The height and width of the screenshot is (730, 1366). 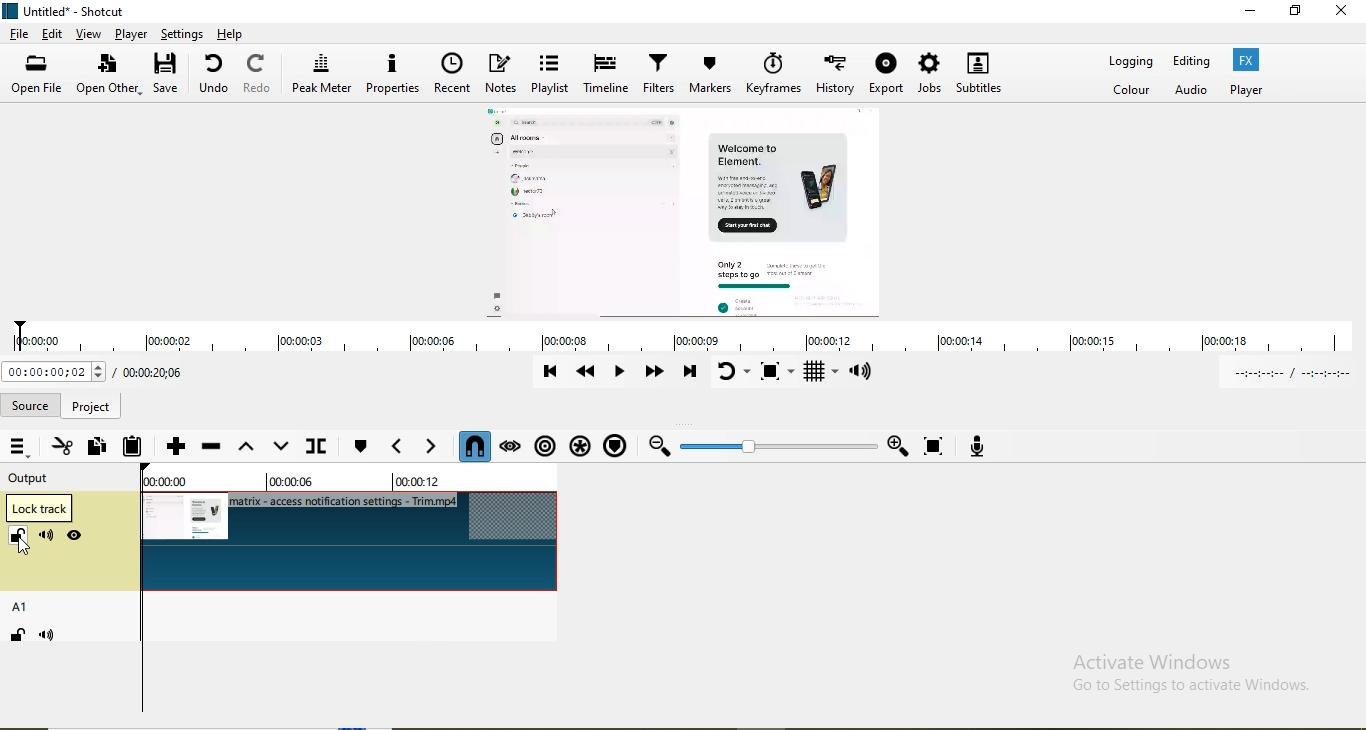 What do you see at coordinates (277, 407) in the screenshot?
I see `text1` at bounding box center [277, 407].